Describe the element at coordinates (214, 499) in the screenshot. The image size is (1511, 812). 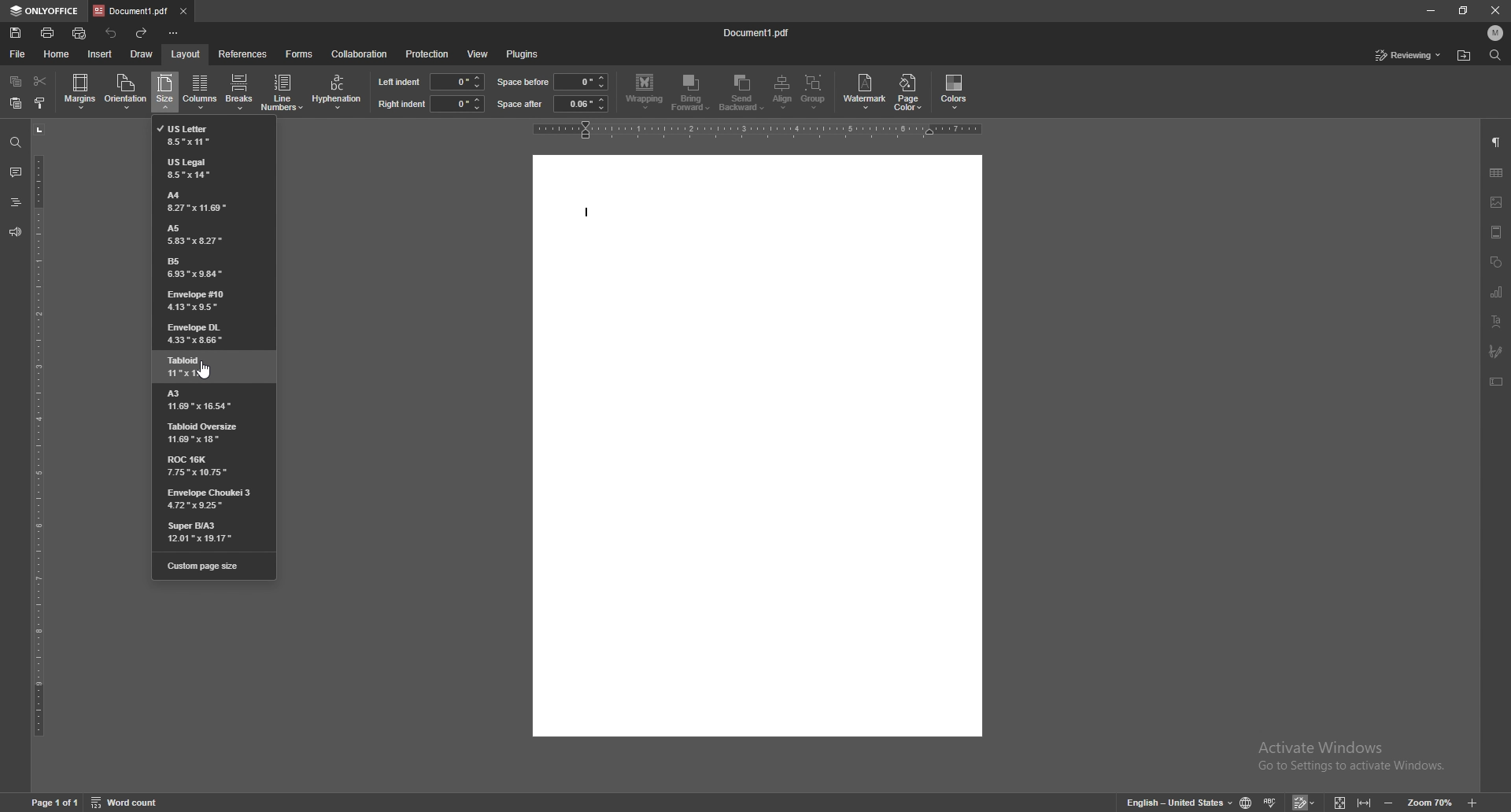
I see `envelope choukei 3` at that location.